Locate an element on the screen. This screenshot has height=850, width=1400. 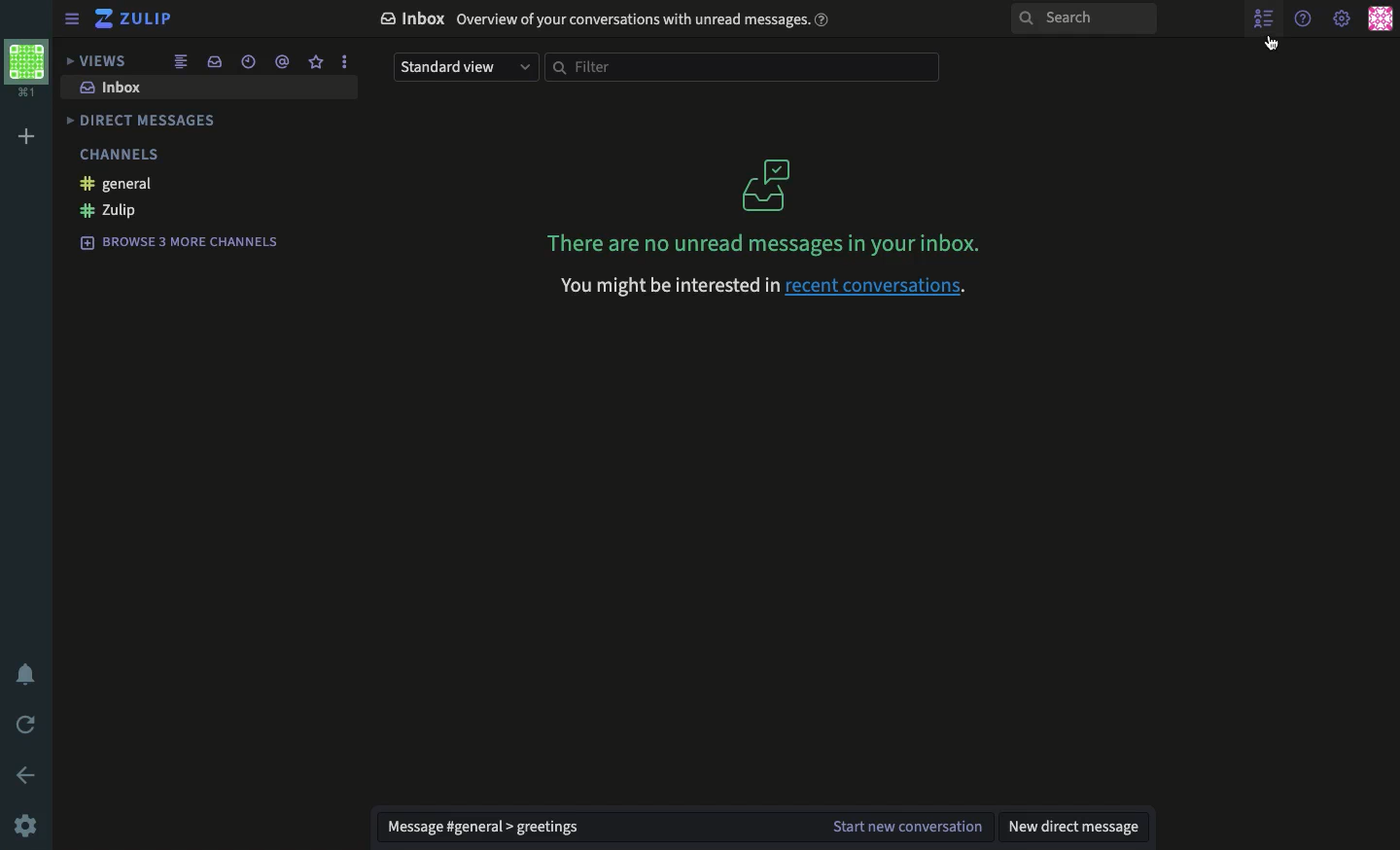
add workspace is located at coordinates (27, 135).